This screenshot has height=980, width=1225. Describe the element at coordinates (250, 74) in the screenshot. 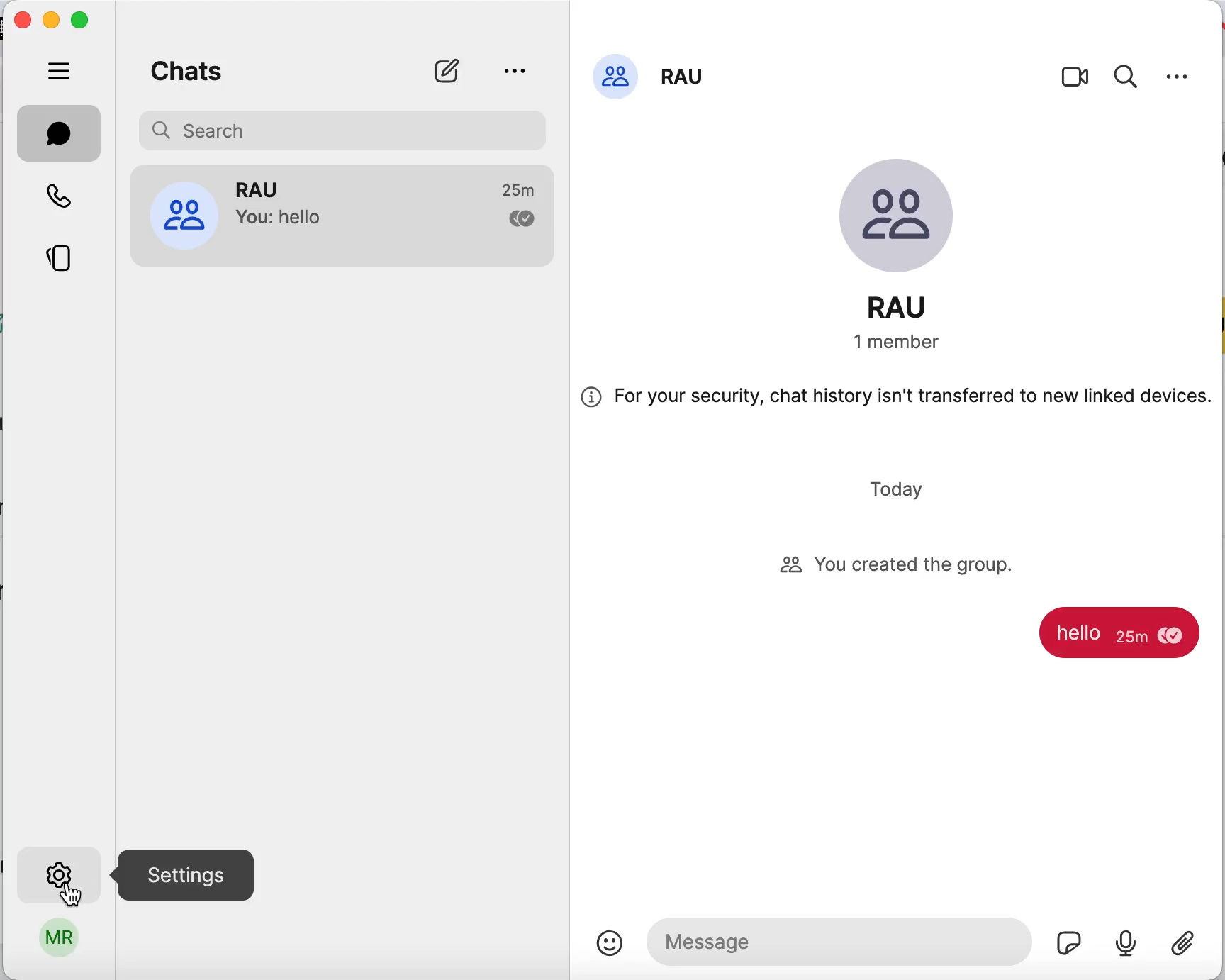

I see `chats` at that location.